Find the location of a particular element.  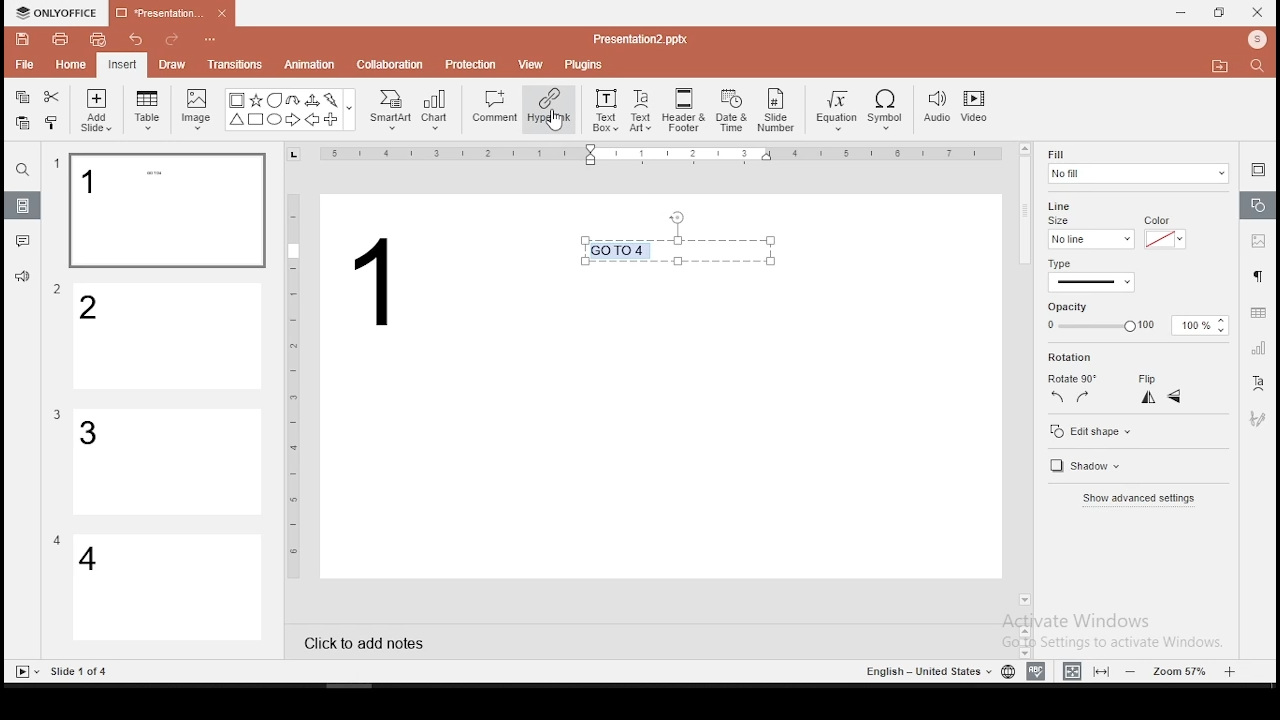

show advanced settings is located at coordinates (1137, 501).